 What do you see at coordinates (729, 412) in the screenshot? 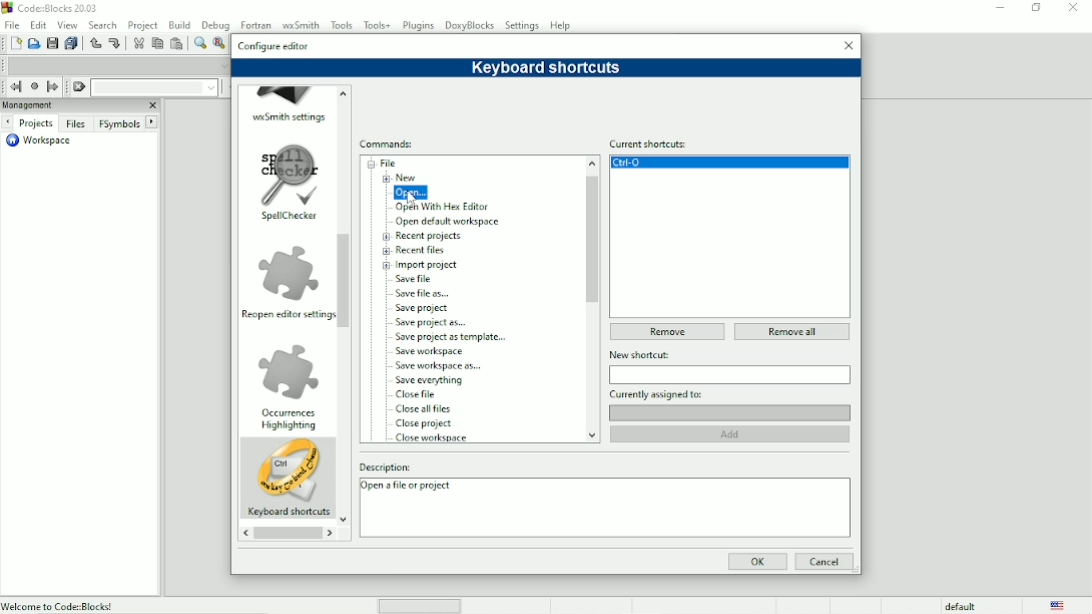
I see `` at bounding box center [729, 412].